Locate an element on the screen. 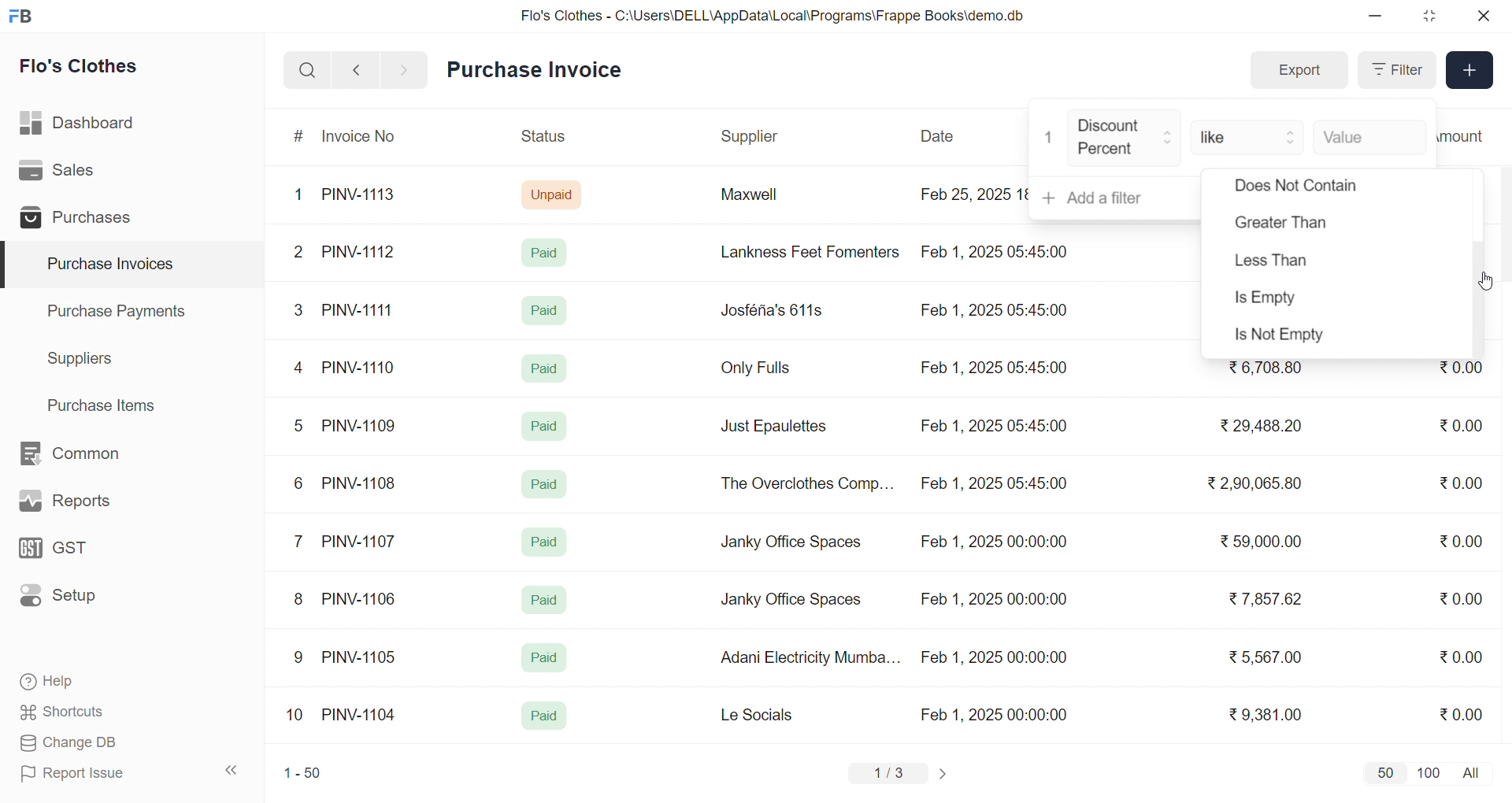  Purchases is located at coordinates (81, 220).